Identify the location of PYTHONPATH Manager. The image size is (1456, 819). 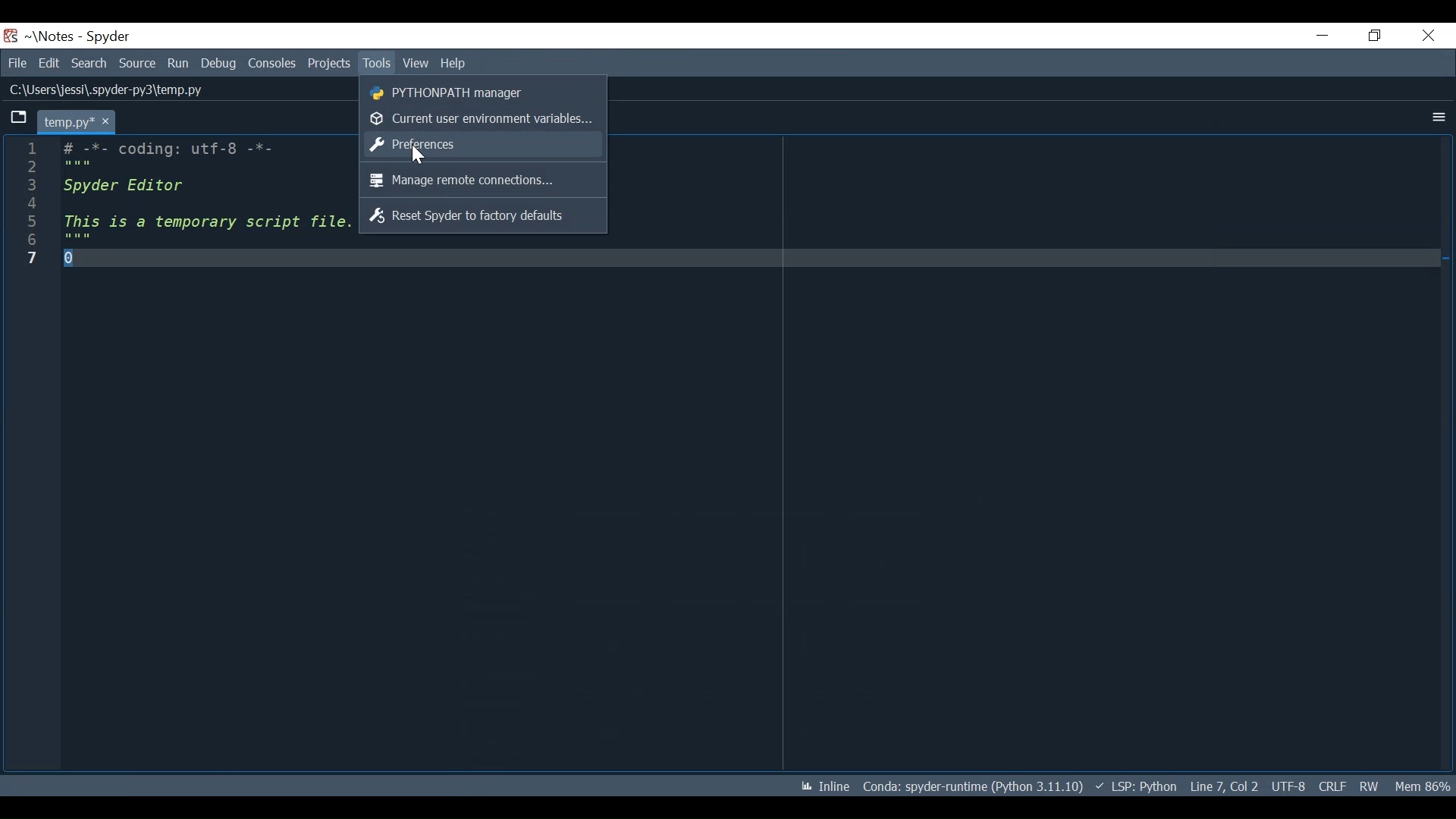
(470, 94).